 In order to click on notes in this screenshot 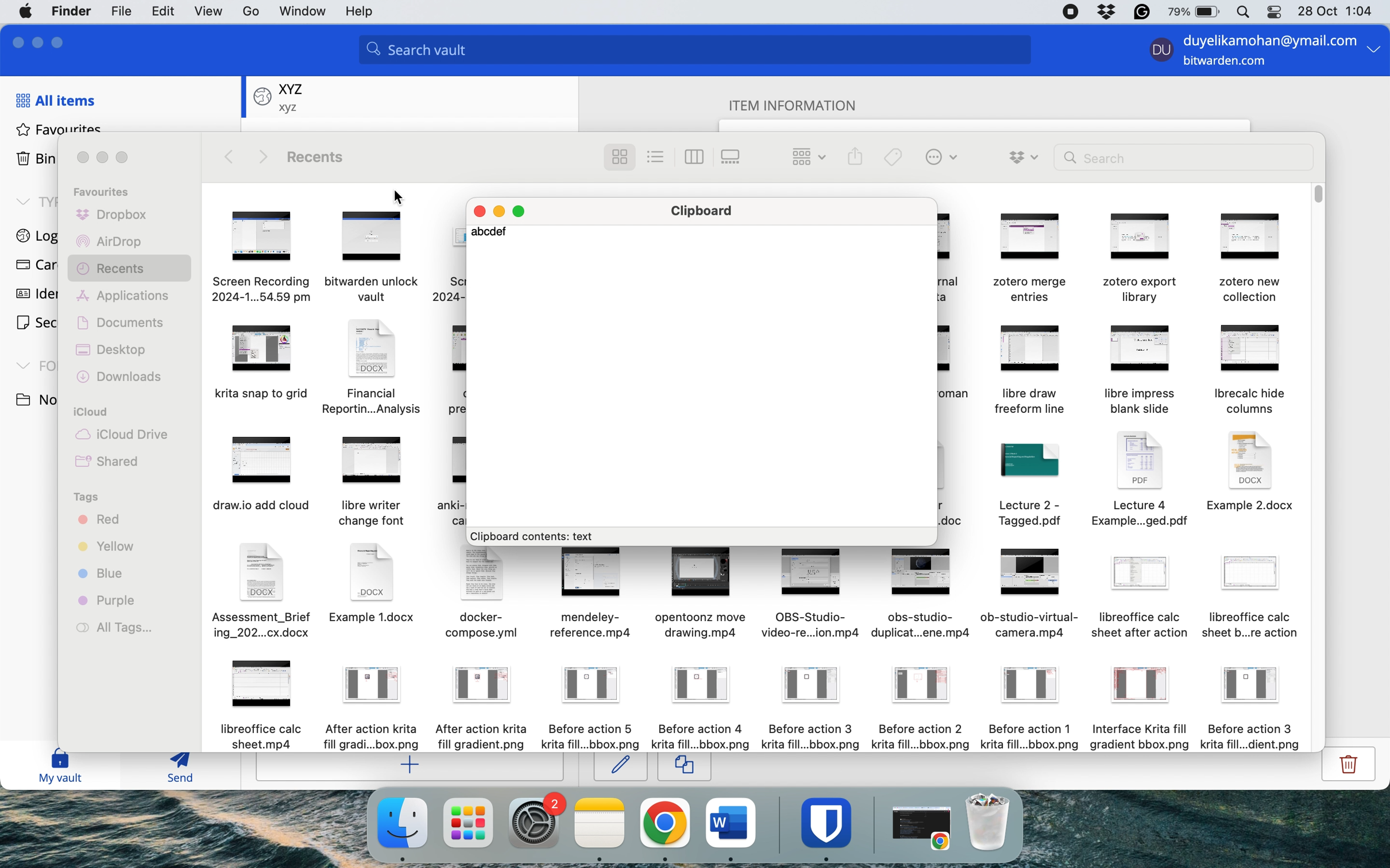, I will do `click(601, 823)`.